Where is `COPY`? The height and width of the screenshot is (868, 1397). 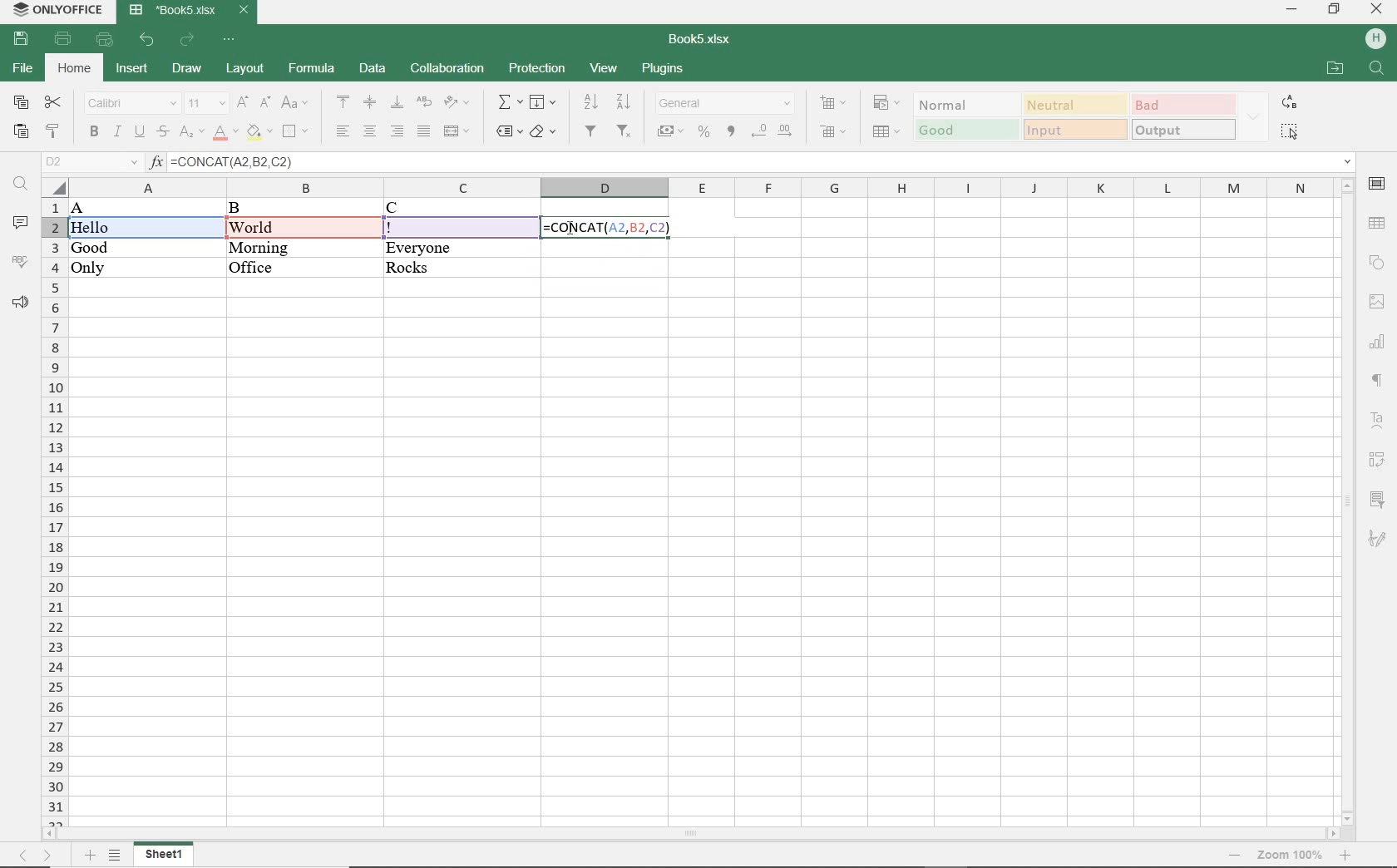
COPY is located at coordinates (22, 103).